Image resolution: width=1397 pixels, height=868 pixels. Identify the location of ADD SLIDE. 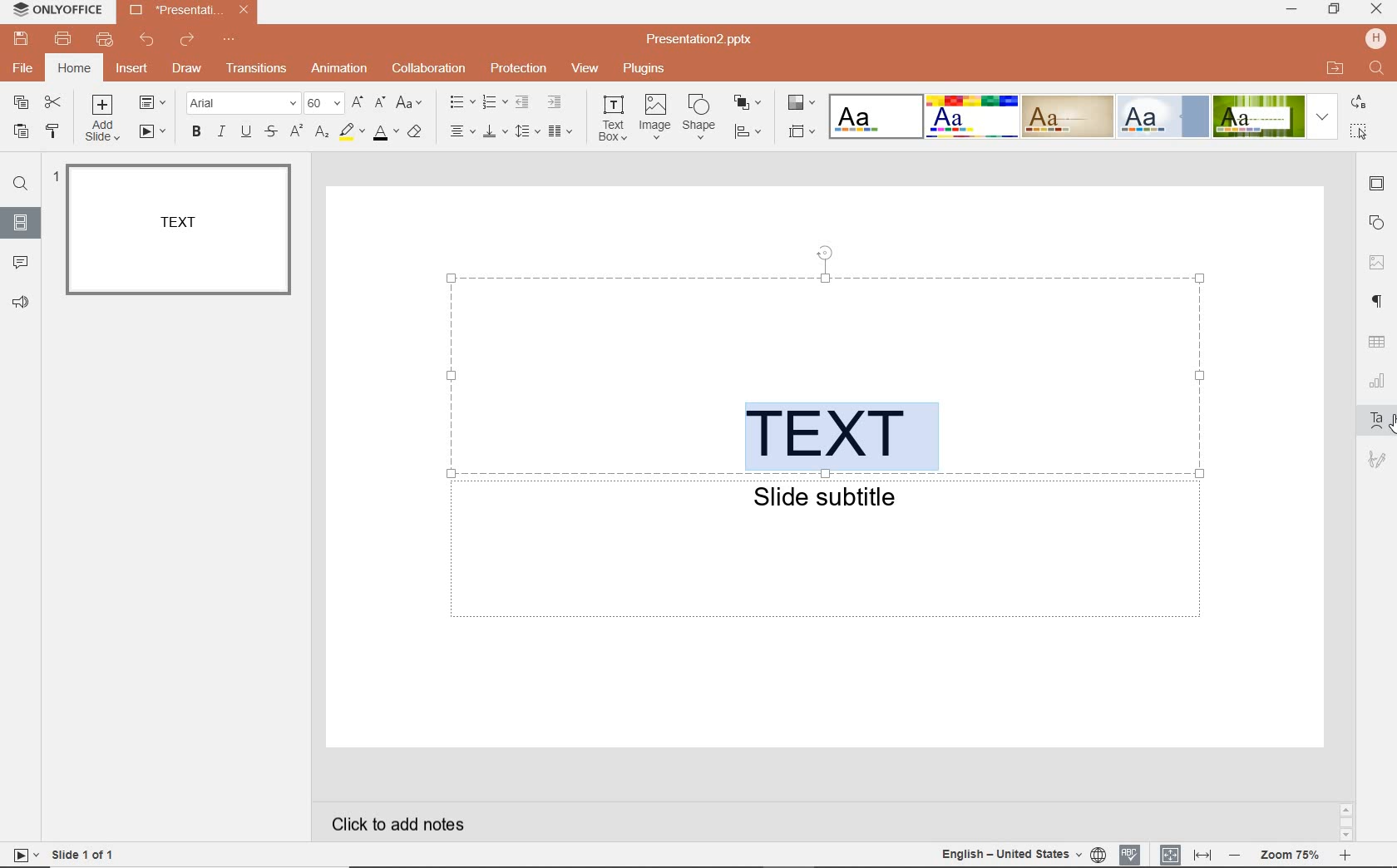
(106, 118).